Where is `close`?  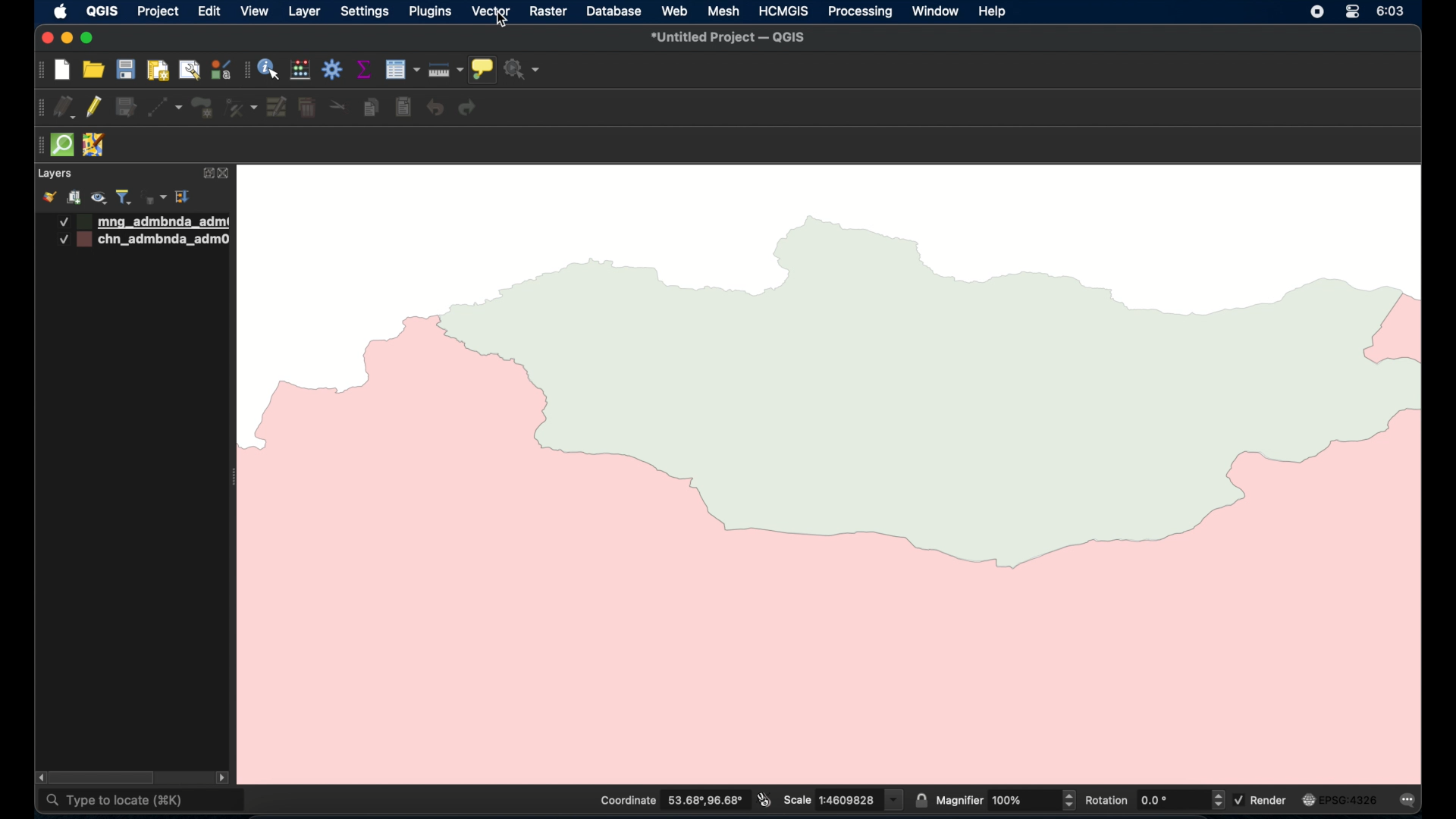
close is located at coordinates (45, 38).